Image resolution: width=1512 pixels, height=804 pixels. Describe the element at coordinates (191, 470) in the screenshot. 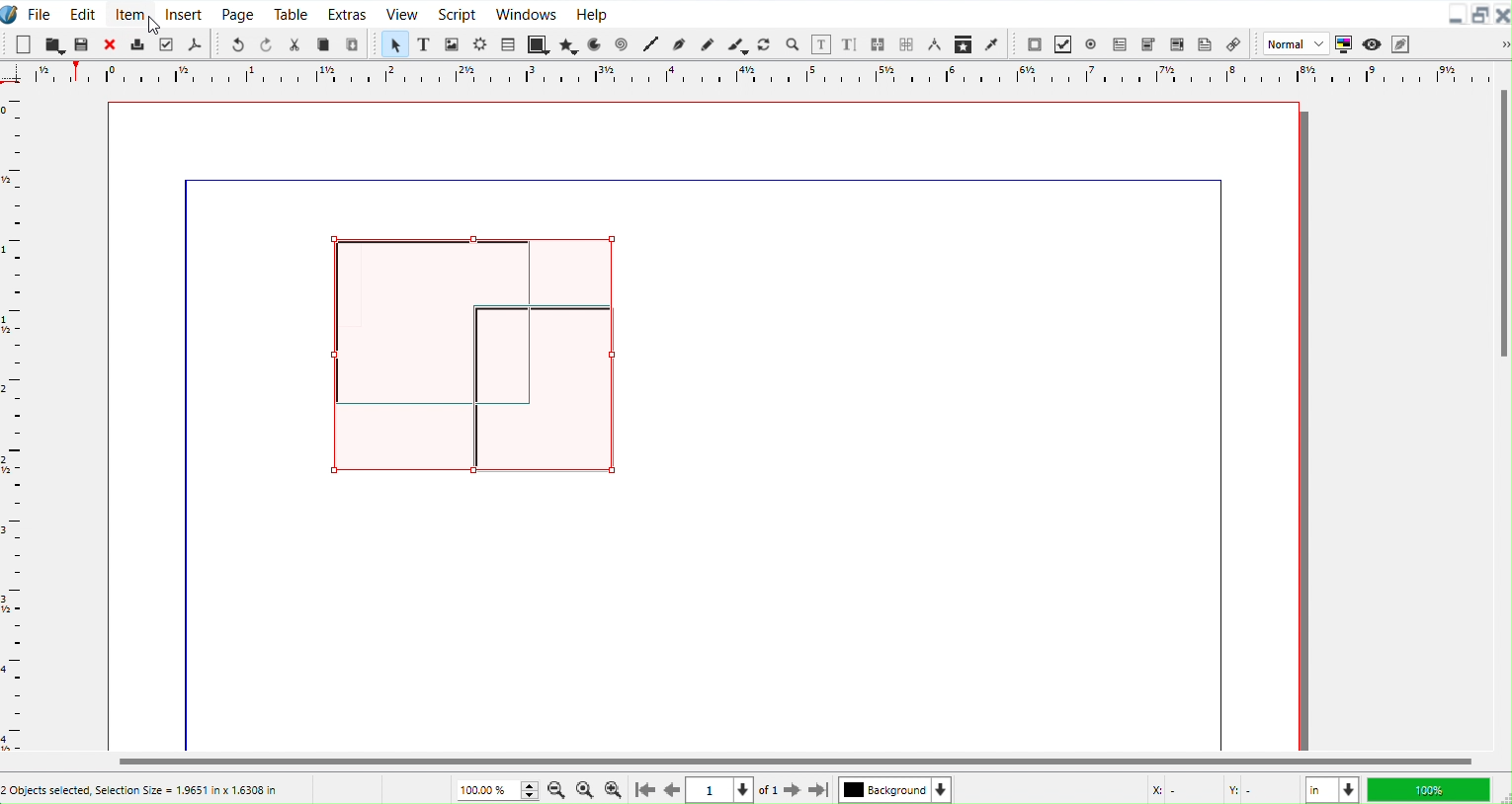

I see `line` at that location.